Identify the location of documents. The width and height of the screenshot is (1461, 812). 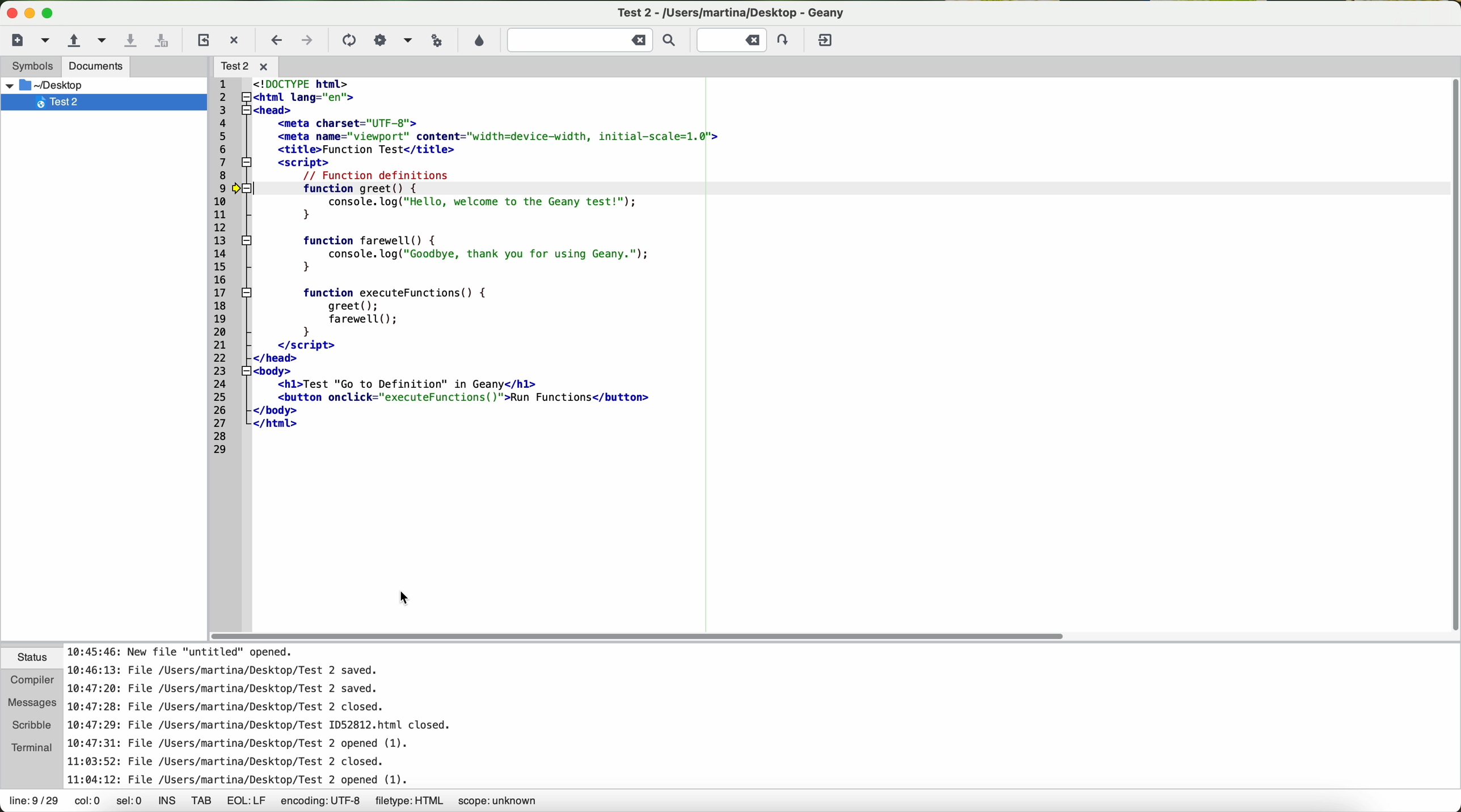
(96, 66).